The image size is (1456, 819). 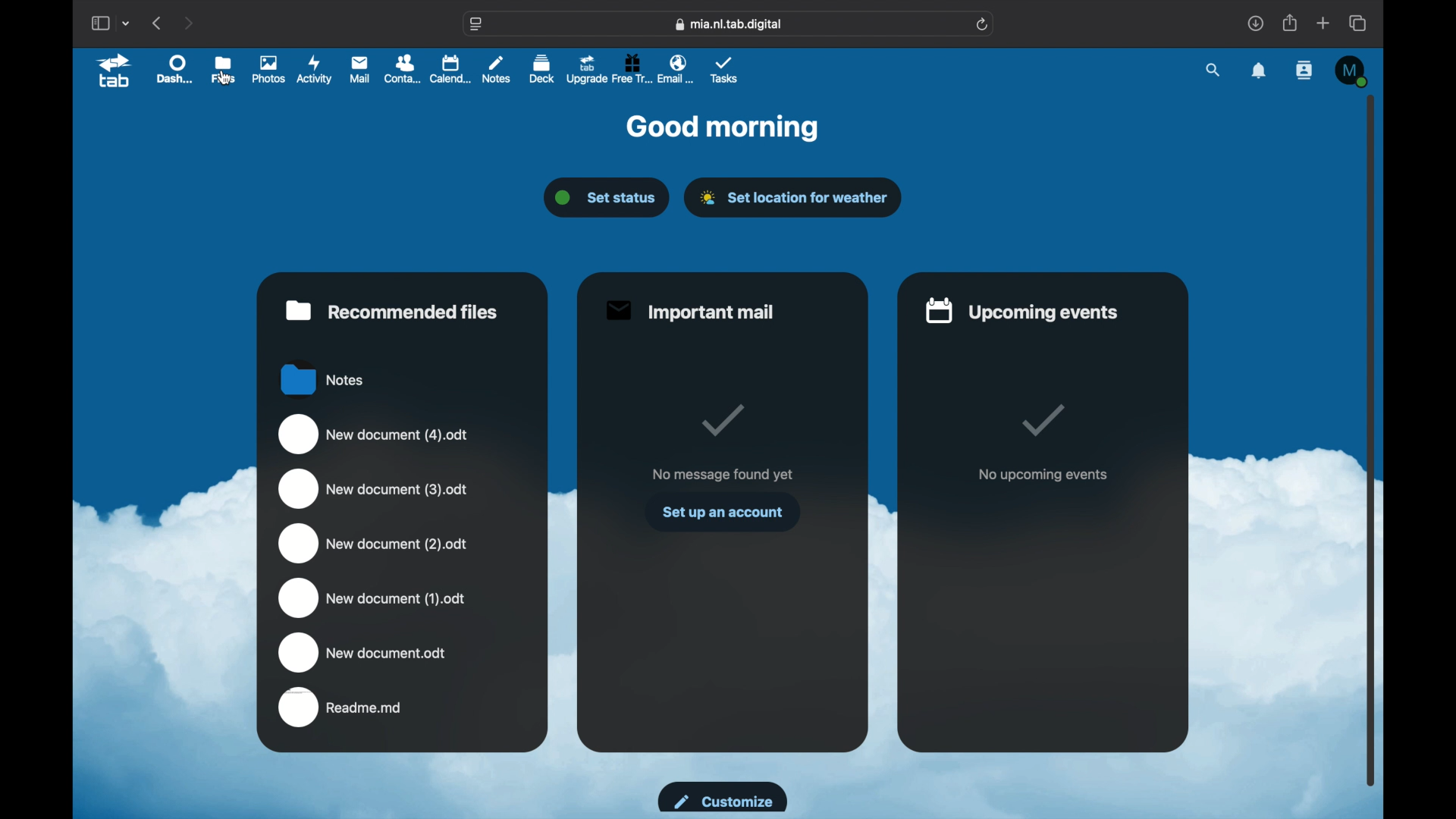 What do you see at coordinates (227, 78) in the screenshot?
I see `cursor` at bounding box center [227, 78].